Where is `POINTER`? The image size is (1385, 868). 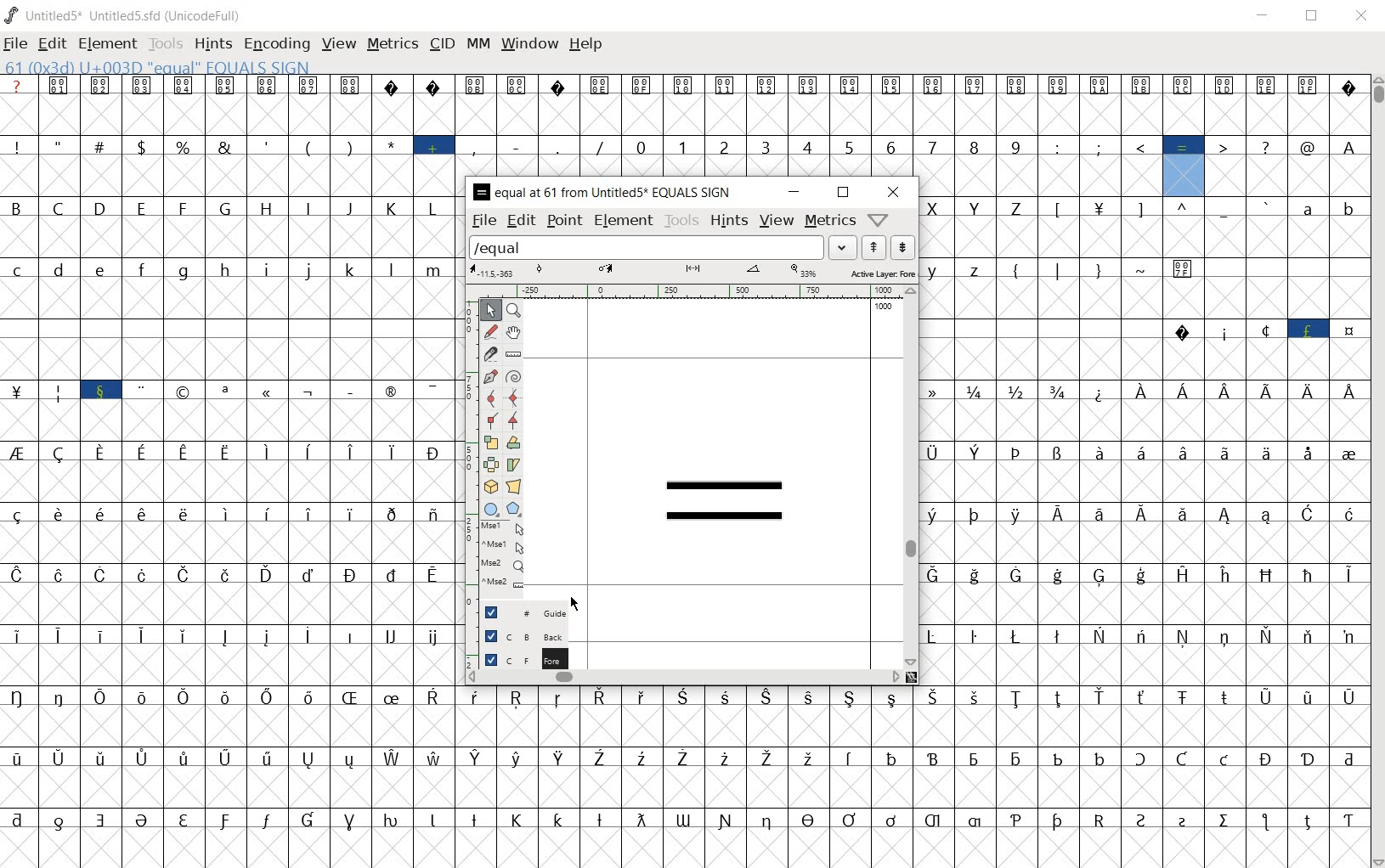
POINTER is located at coordinates (490, 309).